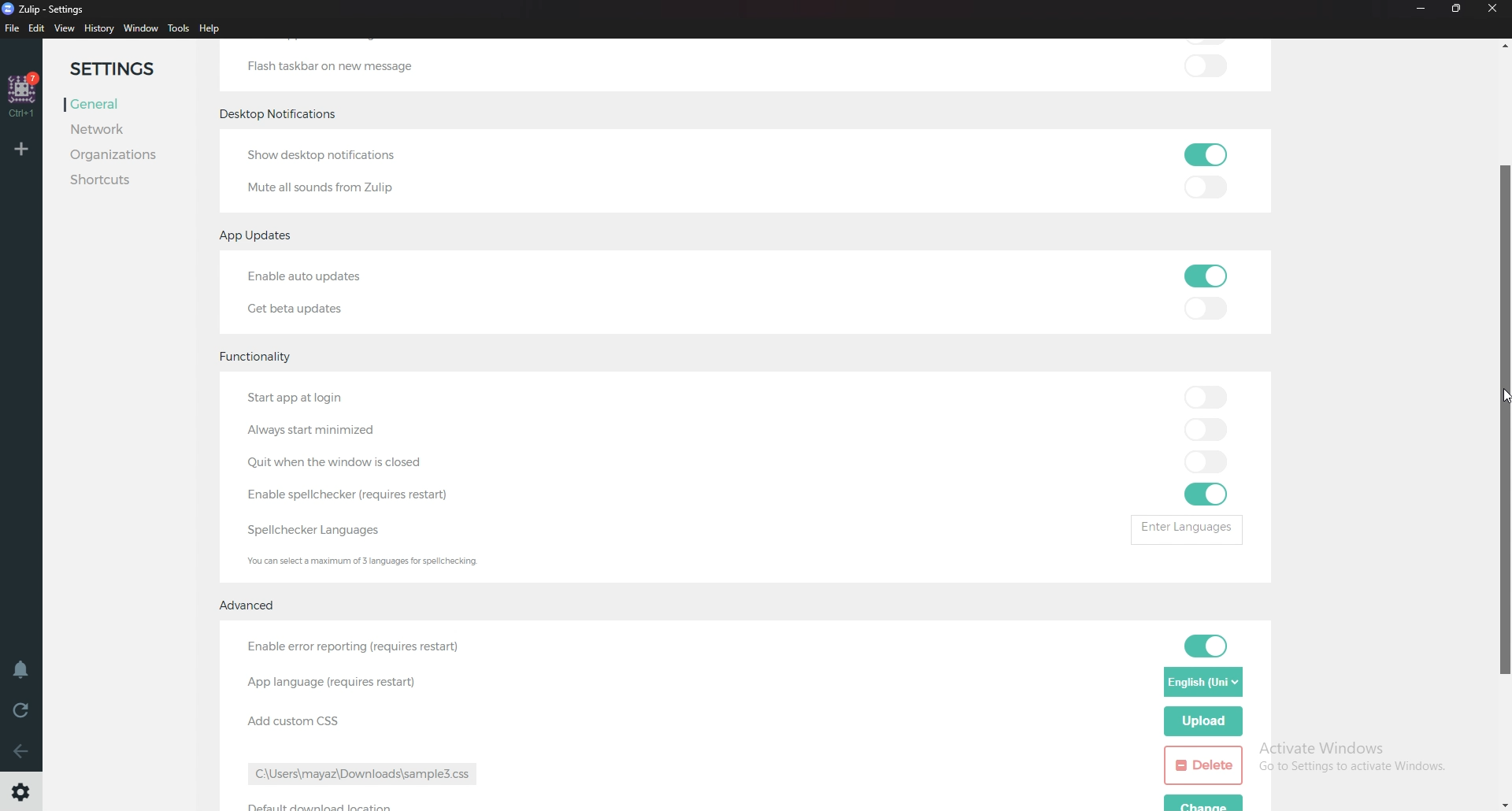 Image resolution: width=1512 pixels, height=811 pixels. I want to click on Enable auto updates, so click(333, 276).